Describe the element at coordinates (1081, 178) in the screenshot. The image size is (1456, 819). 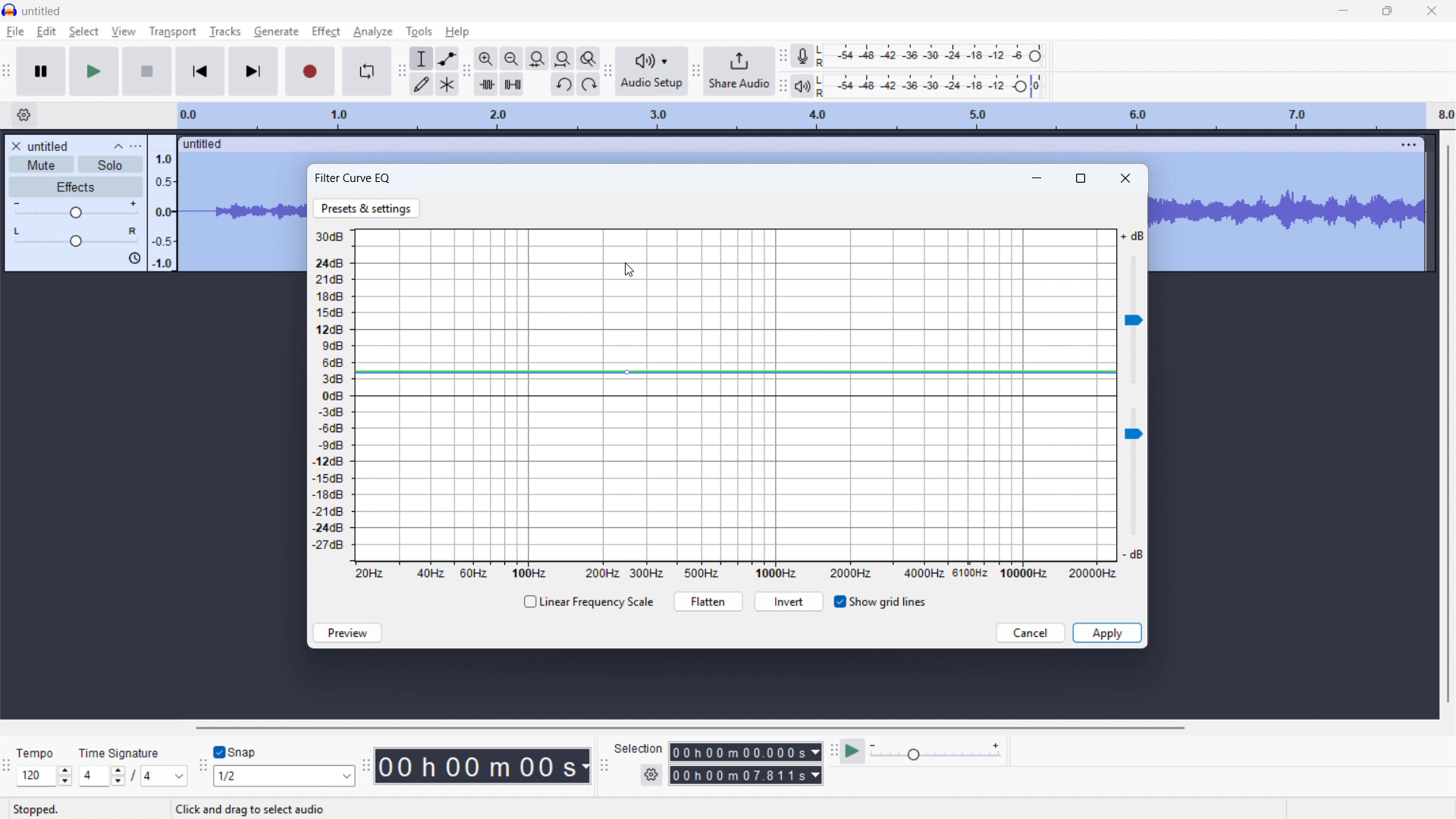
I see `Maximise ` at that location.